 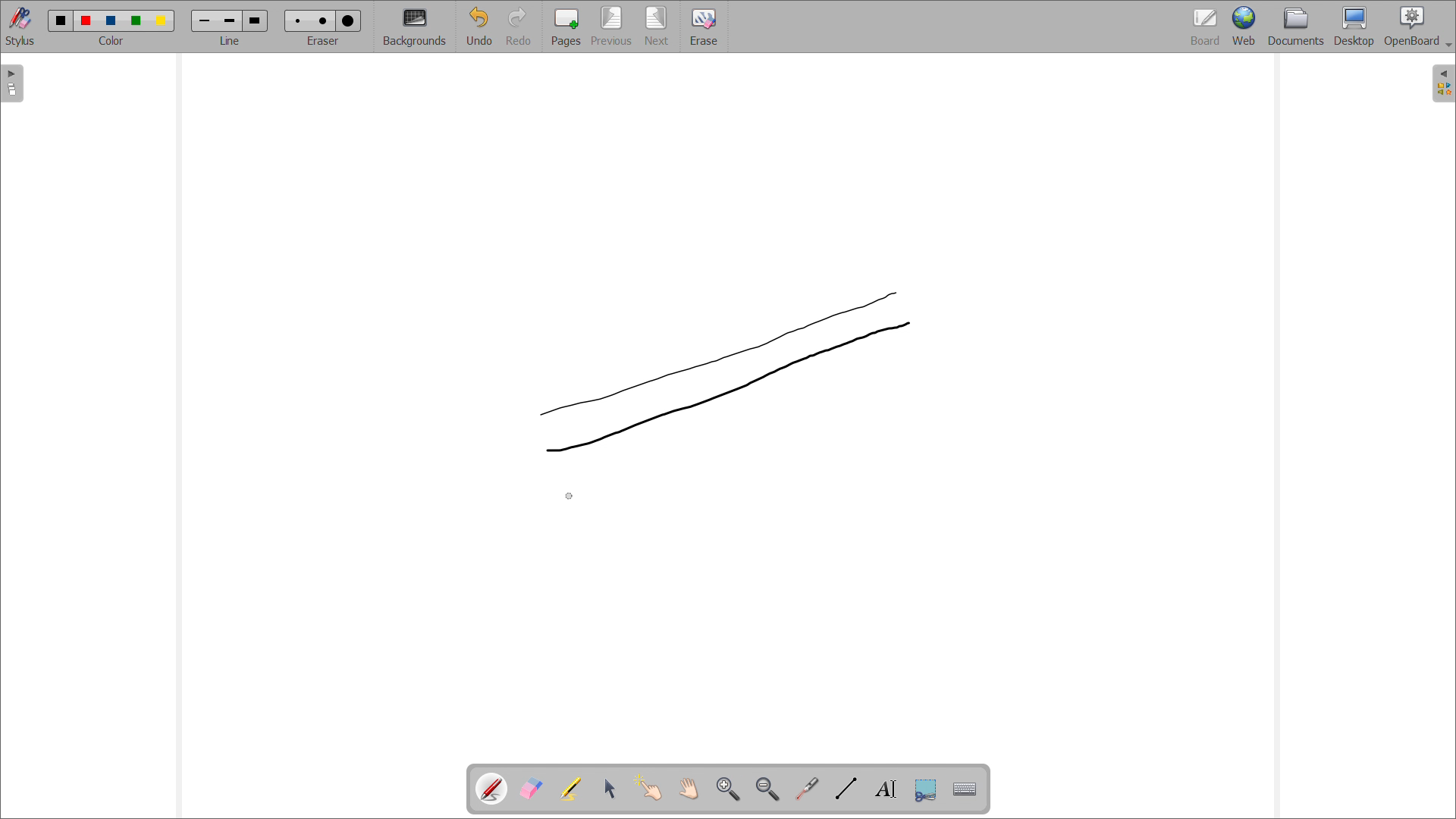 I want to click on undo, so click(x=479, y=26).